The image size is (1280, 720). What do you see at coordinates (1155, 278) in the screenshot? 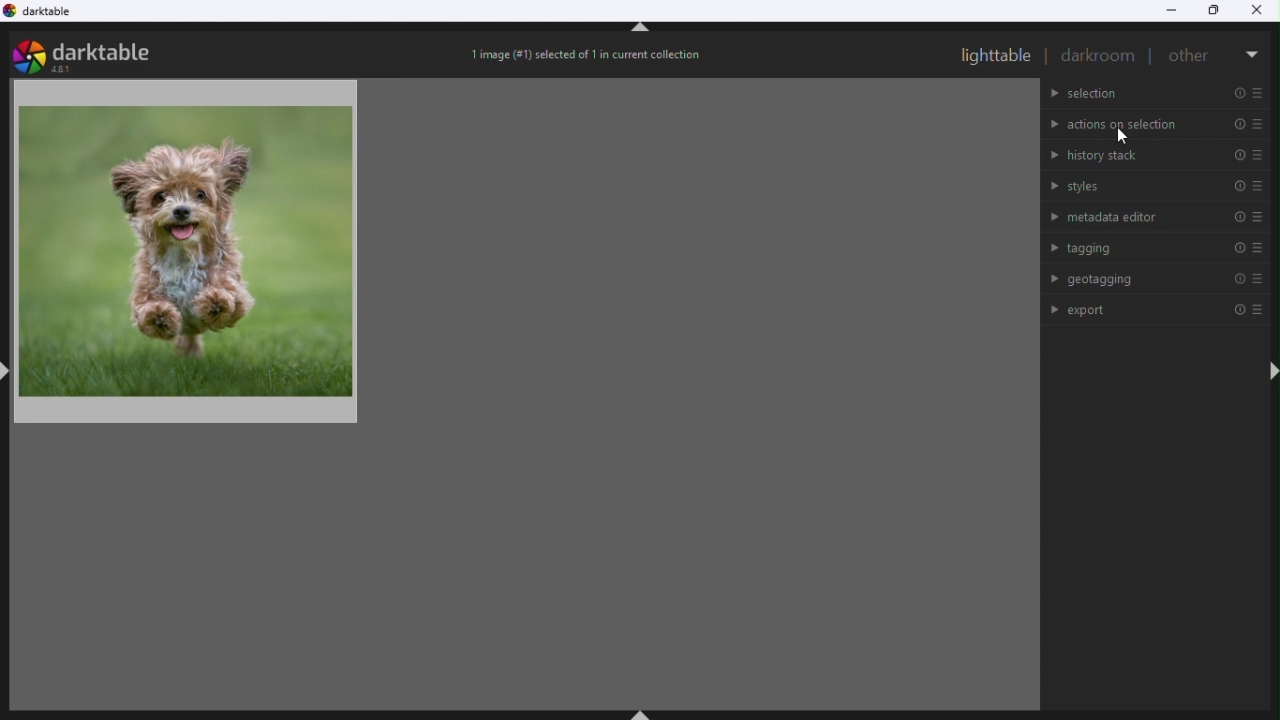
I see `Geo tagging` at bounding box center [1155, 278].